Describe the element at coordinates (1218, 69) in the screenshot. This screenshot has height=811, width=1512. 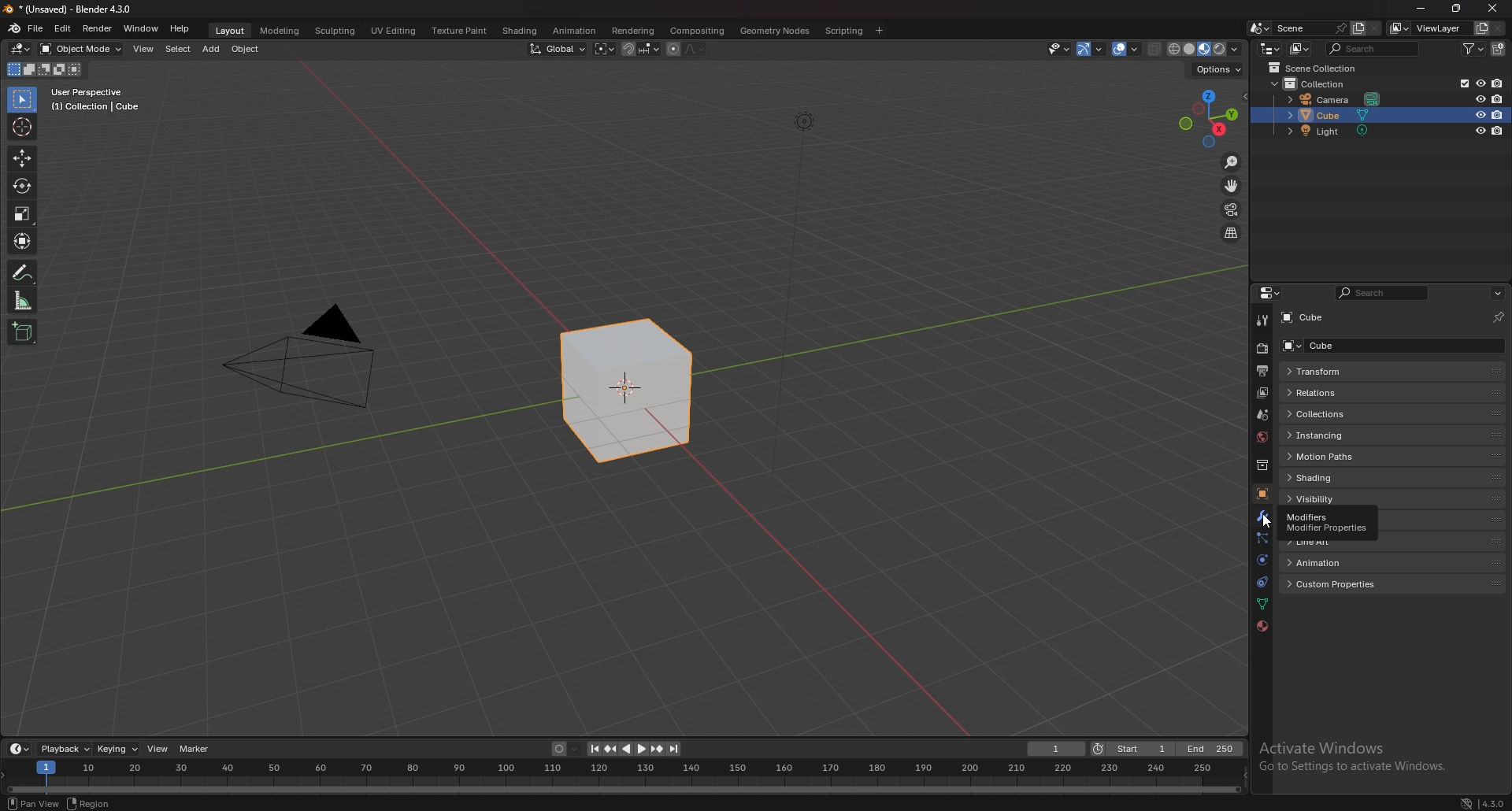
I see `options` at that location.